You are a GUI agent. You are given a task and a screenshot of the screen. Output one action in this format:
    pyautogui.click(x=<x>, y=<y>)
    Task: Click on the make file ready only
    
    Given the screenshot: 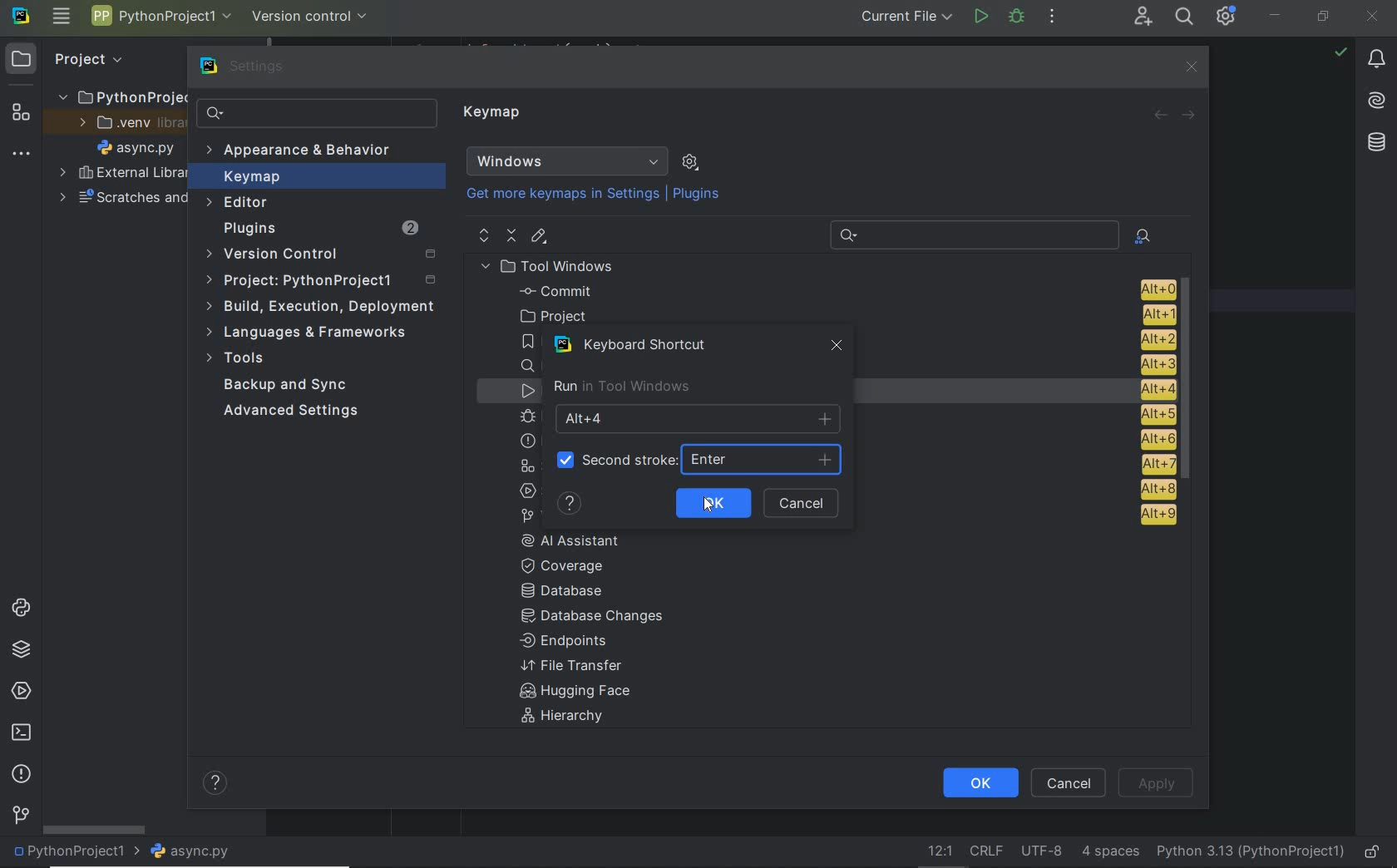 What is the action you would take?
    pyautogui.click(x=1372, y=853)
    